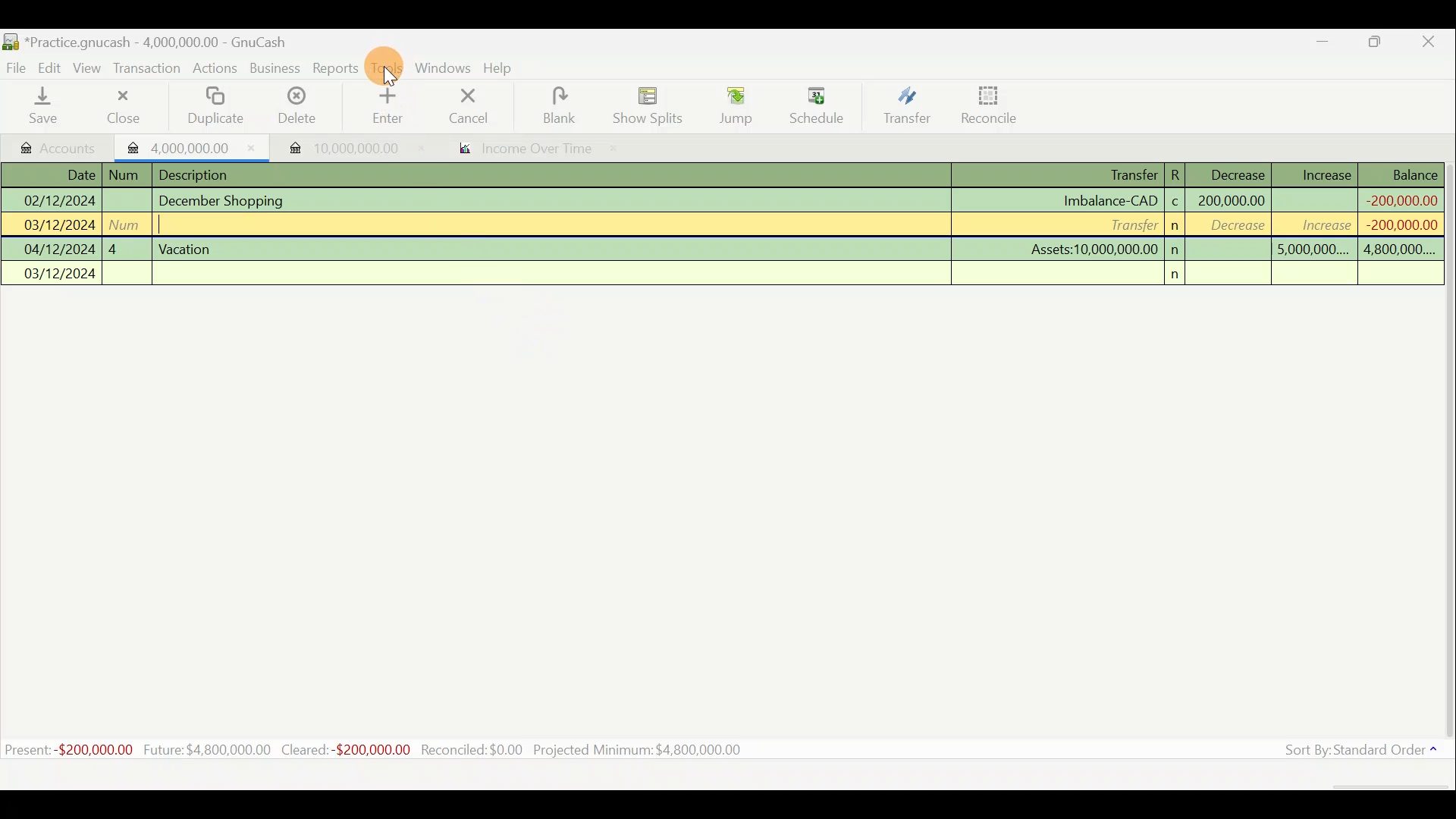  Describe the element at coordinates (218, 106) in the screenshot. I see `Duplicate` at that location.